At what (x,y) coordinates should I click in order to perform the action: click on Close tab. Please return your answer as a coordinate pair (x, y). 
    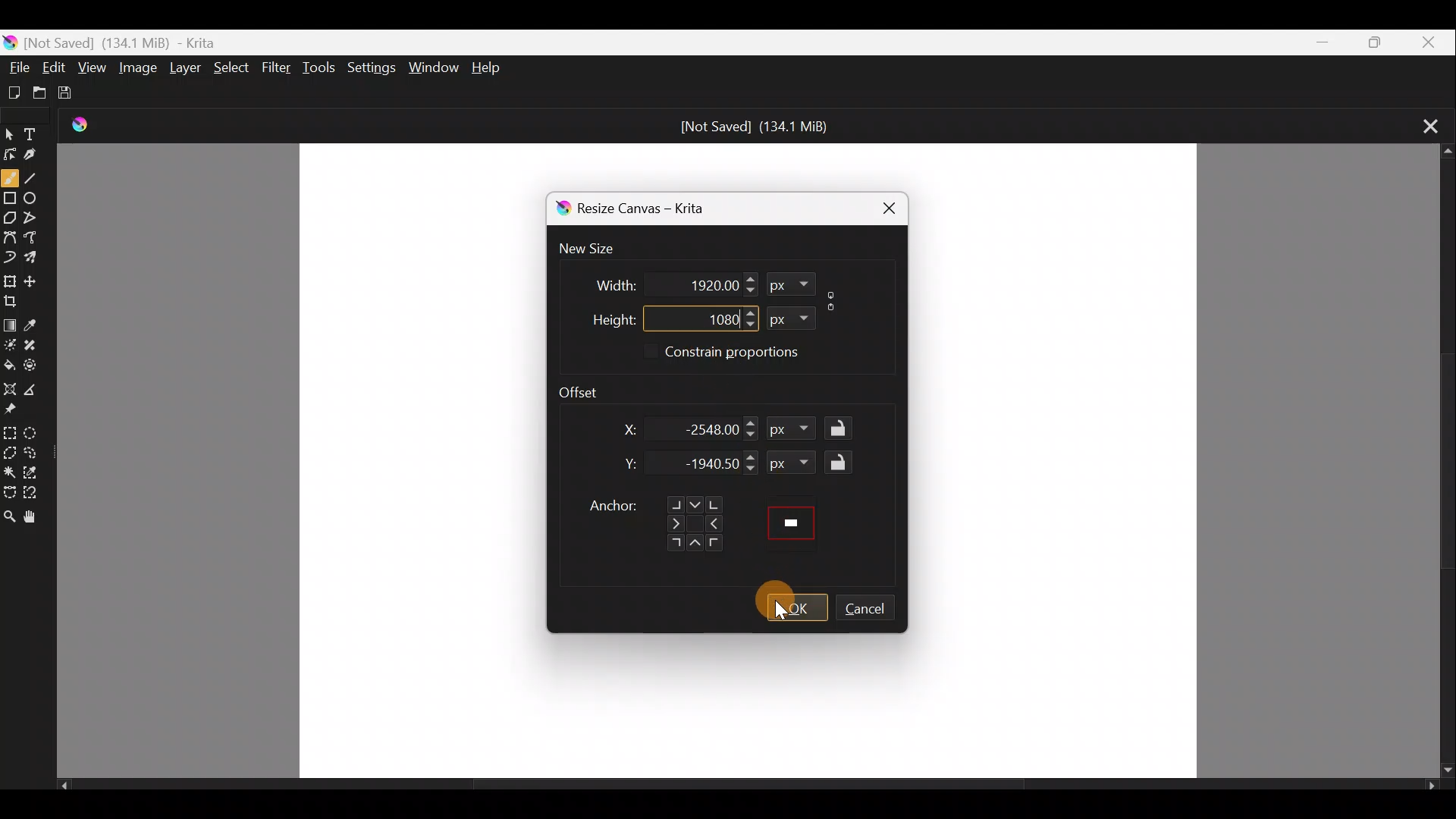
    Looking at the image, I should click on (1424, 124).